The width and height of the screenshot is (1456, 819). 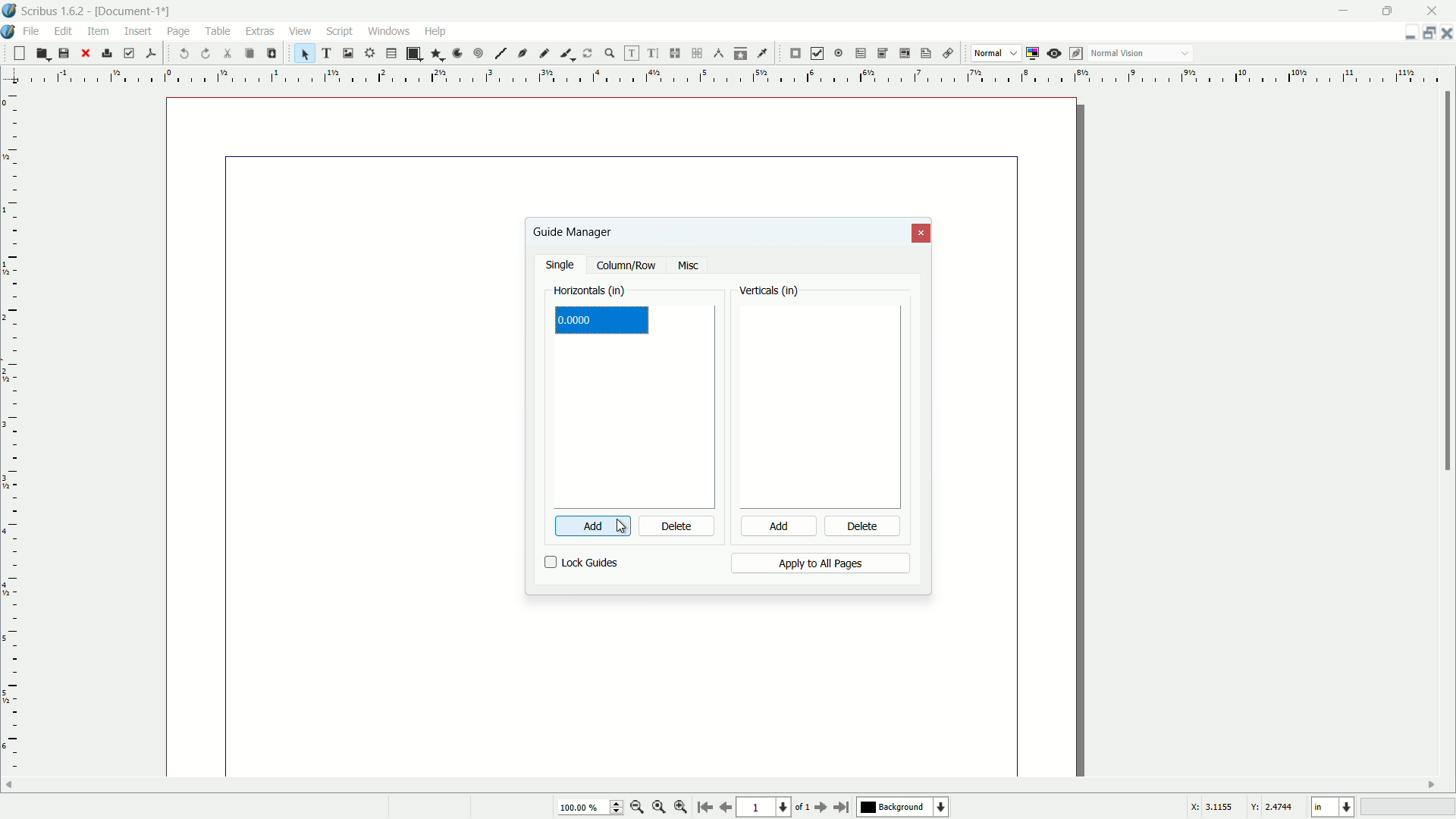 I want to click on preflight verifier, so click(x=129, y=54).